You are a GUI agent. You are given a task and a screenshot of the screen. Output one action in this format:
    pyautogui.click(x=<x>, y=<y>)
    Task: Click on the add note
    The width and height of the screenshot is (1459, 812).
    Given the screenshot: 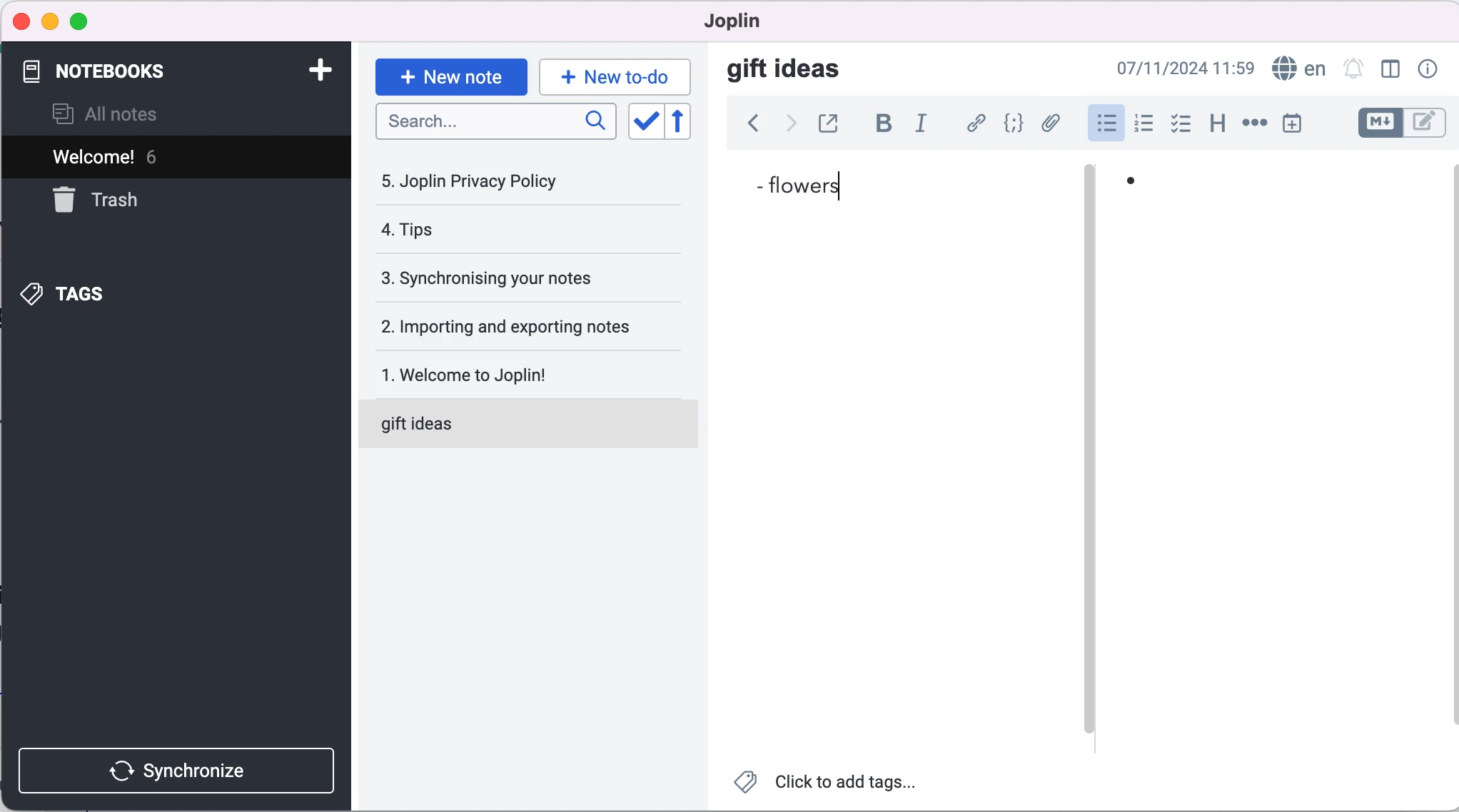 What is the action you would take?
    pyautogui.click(x=313, y=69)
    